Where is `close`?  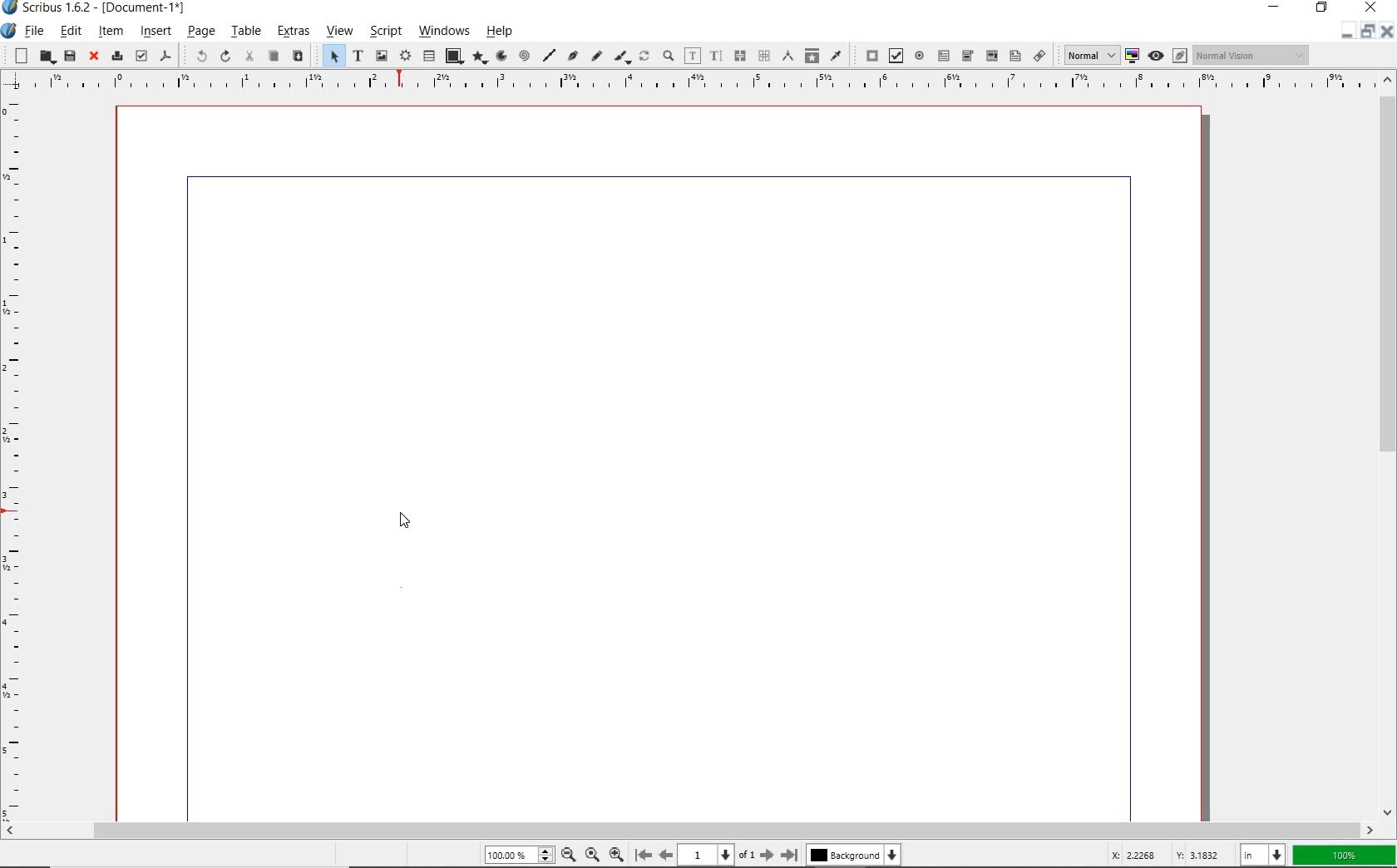
close is located at coordinates (91, 57).